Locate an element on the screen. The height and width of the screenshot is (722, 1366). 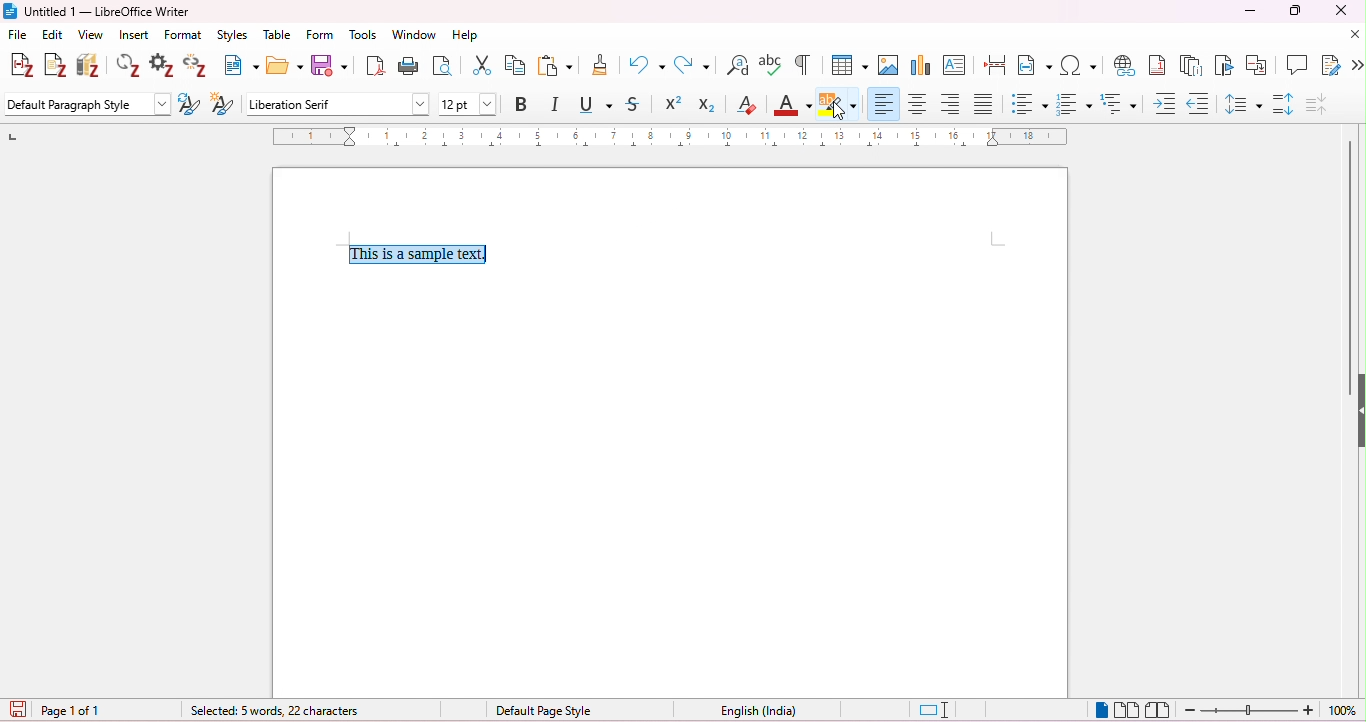
open is located at coordinates (283, 66).